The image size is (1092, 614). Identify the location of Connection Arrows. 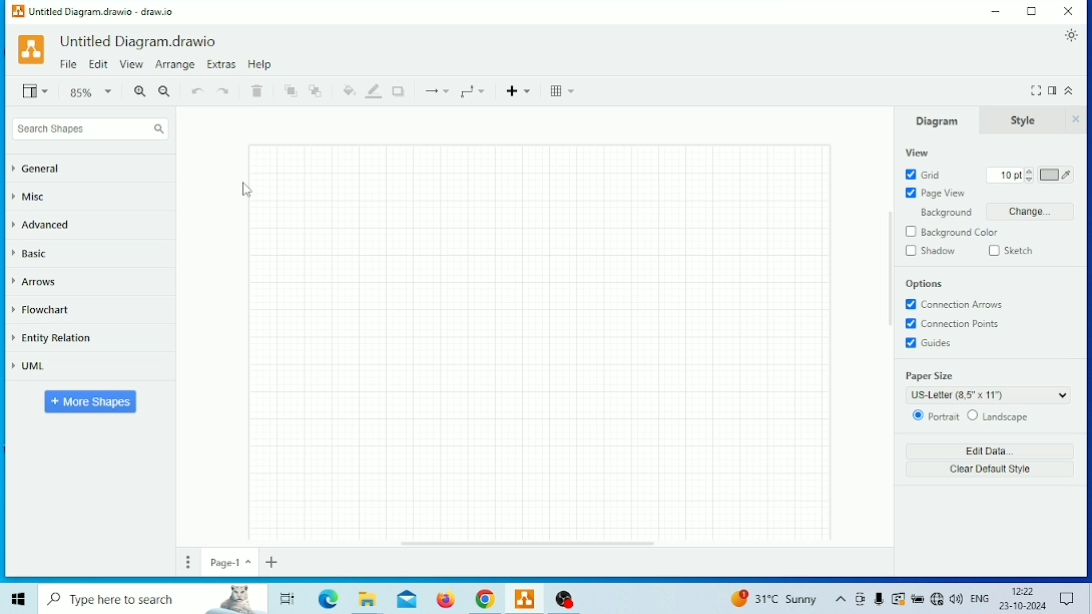
(953, 305).